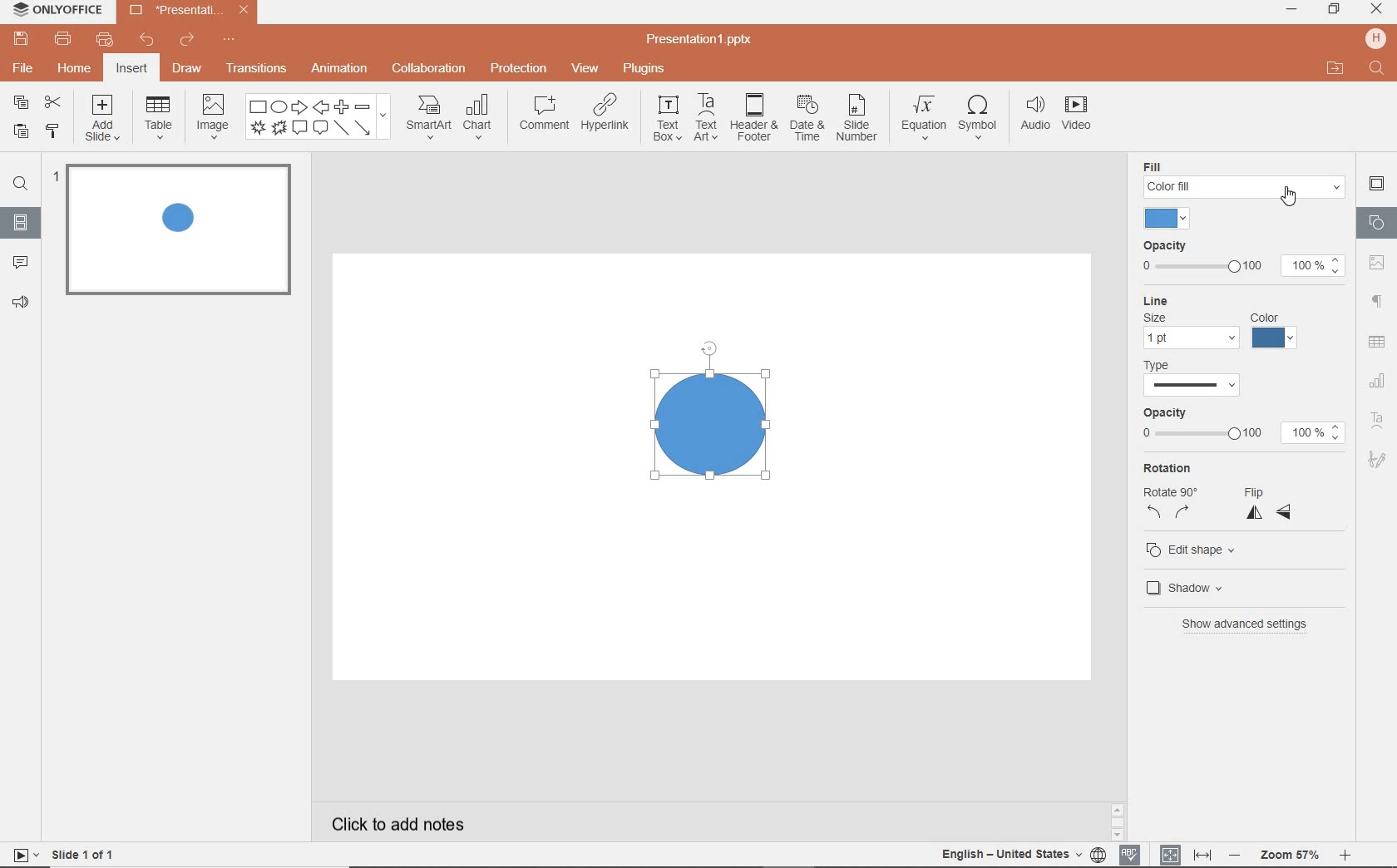 The image size is (1397, 868). Describe the element at coordinates (1200, 267) in the screenshot. I see `opacity slider` at that location.